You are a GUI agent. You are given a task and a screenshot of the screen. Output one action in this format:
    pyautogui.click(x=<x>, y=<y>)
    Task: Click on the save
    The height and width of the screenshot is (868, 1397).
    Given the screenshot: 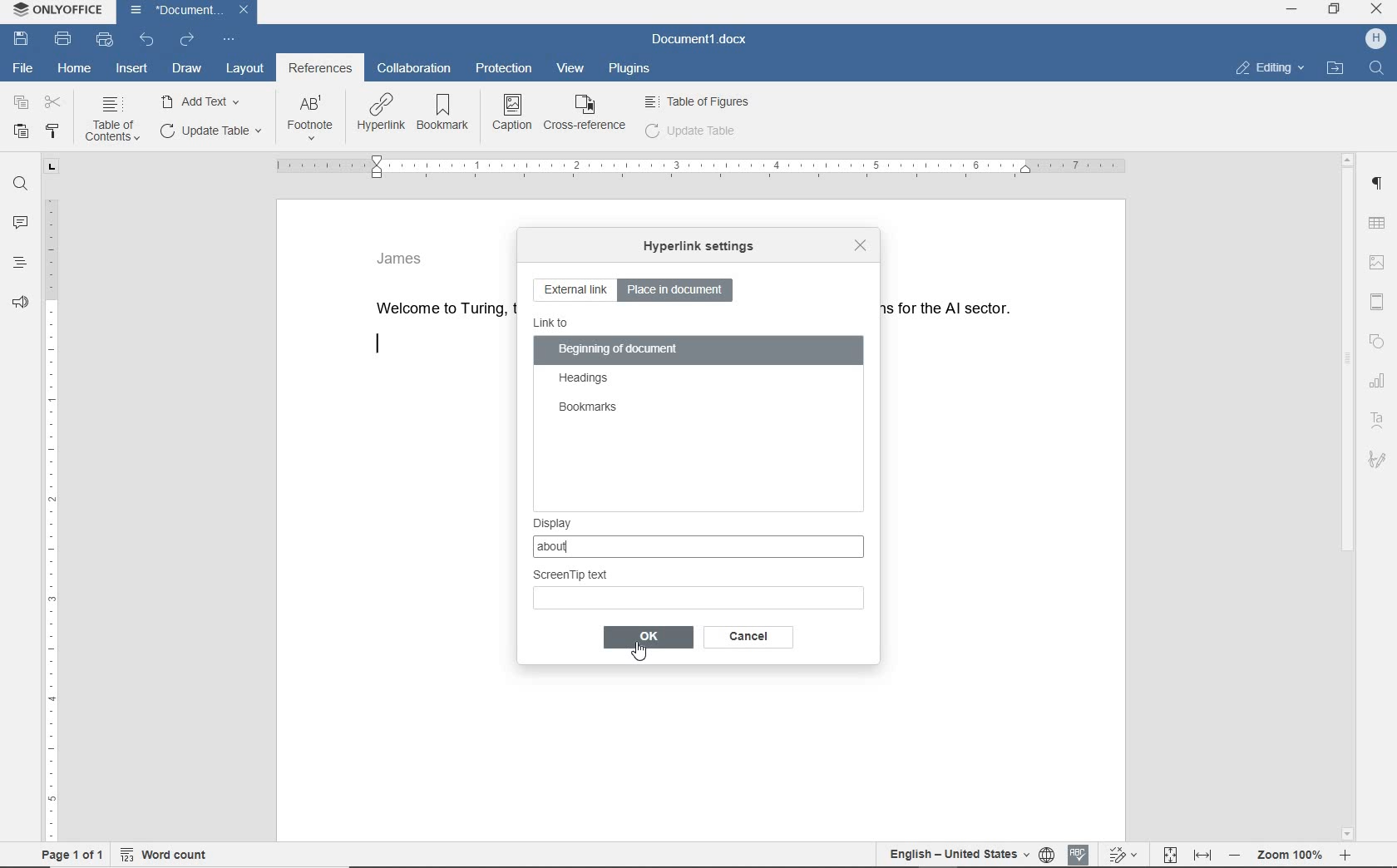 What is the action you would take?
    pyautogui.click(x=20, y=38)
    